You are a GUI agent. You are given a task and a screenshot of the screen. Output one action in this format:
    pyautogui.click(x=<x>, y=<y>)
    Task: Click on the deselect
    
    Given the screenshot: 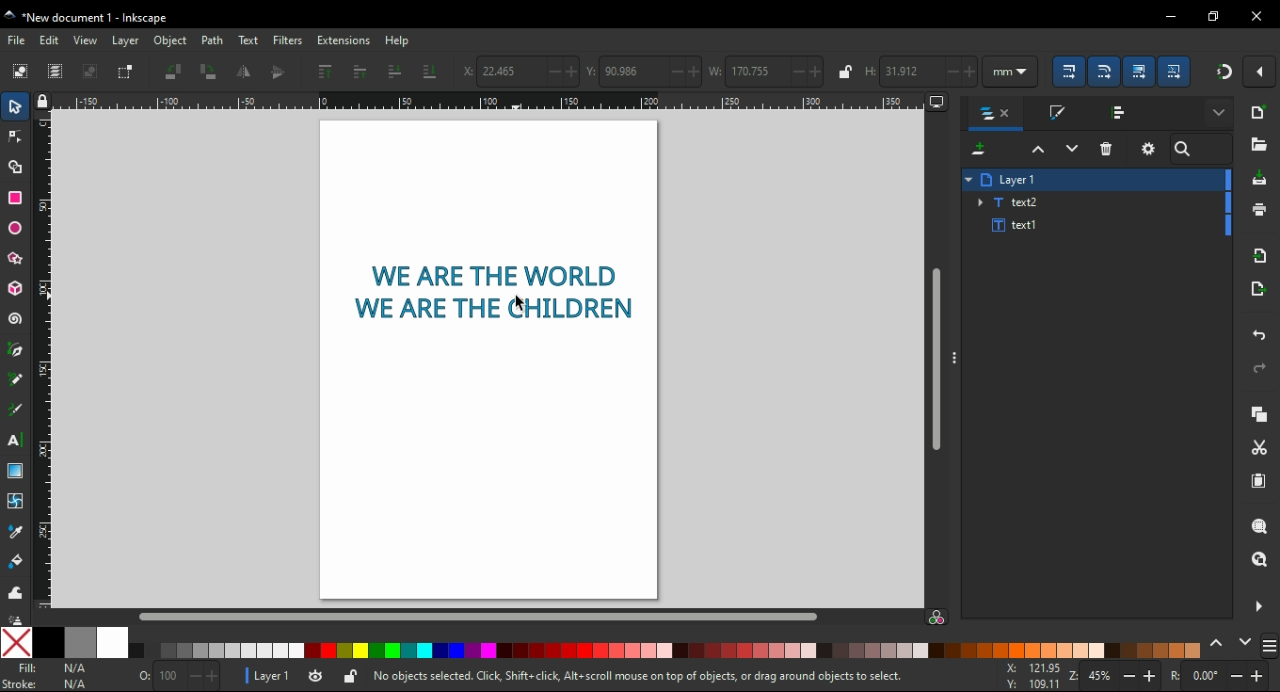 What is the action you would take?
    pyautogui.click(x=93, y=73)
    